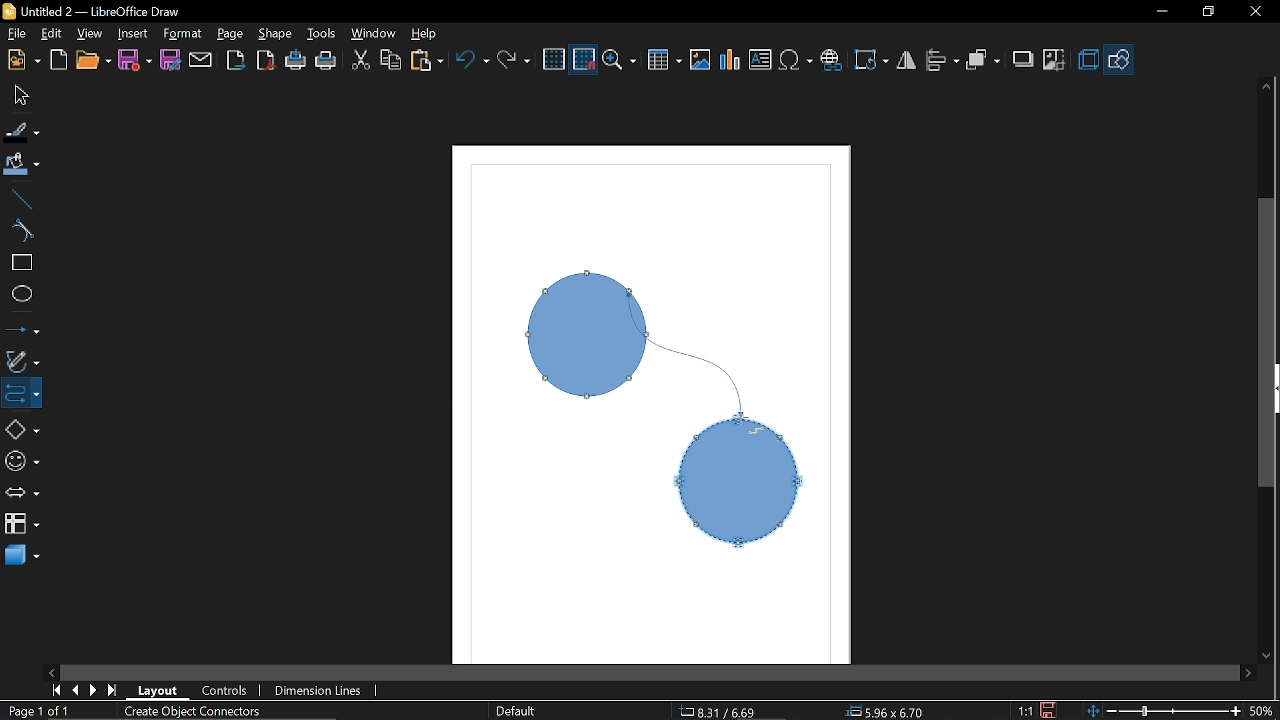 Image resolution: width=1280 pixels, height=720 pixels. Describe the element at coordinates (22, 525) in the screenshot. I see `FLowchart` at that location.